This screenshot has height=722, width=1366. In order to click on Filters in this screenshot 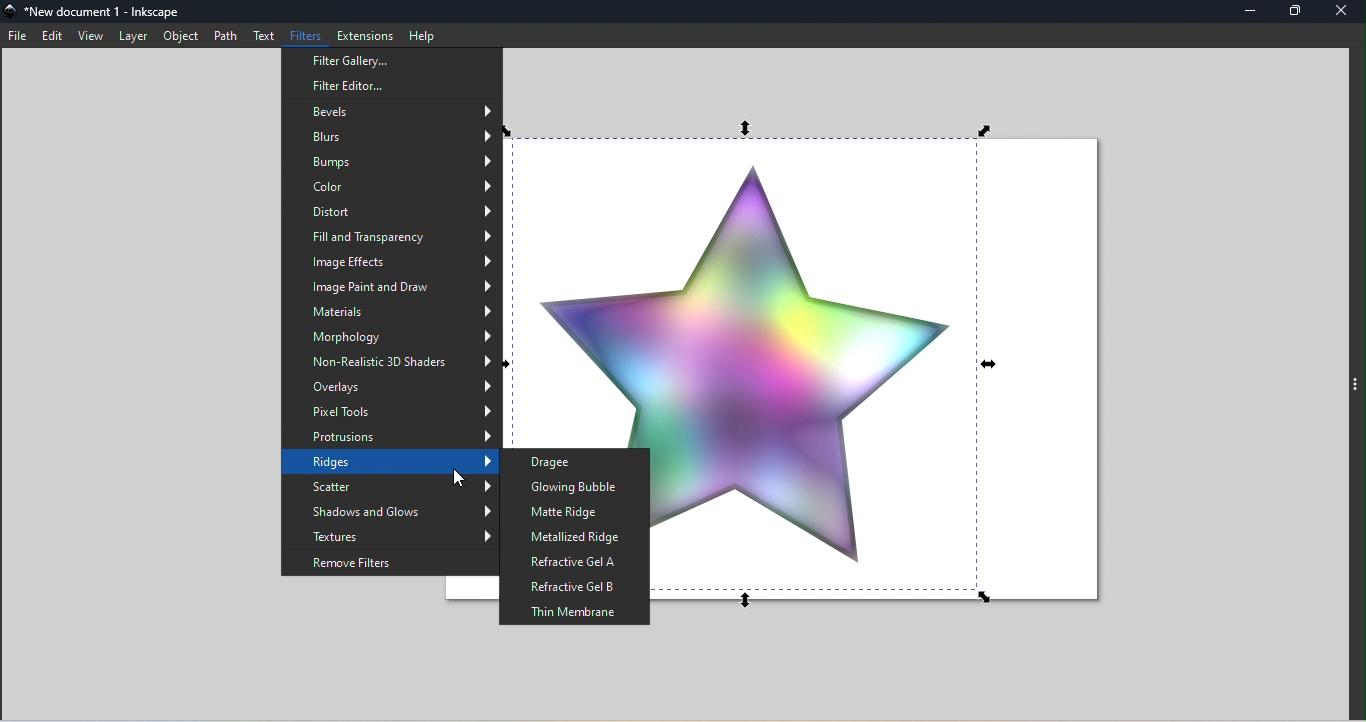, I will do `click(301, 35)`.